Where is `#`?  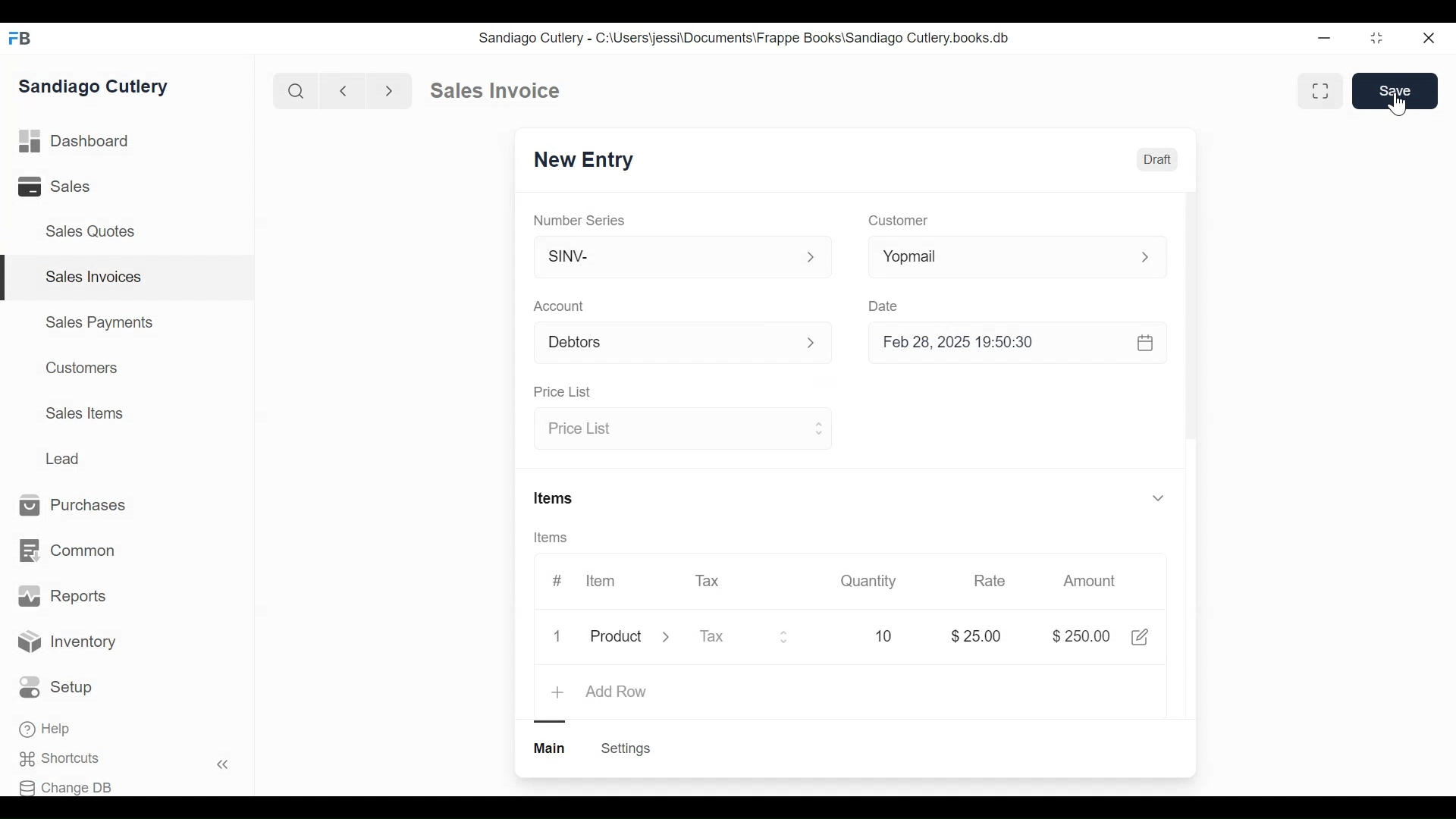 # is located at coordinates (557, 579).